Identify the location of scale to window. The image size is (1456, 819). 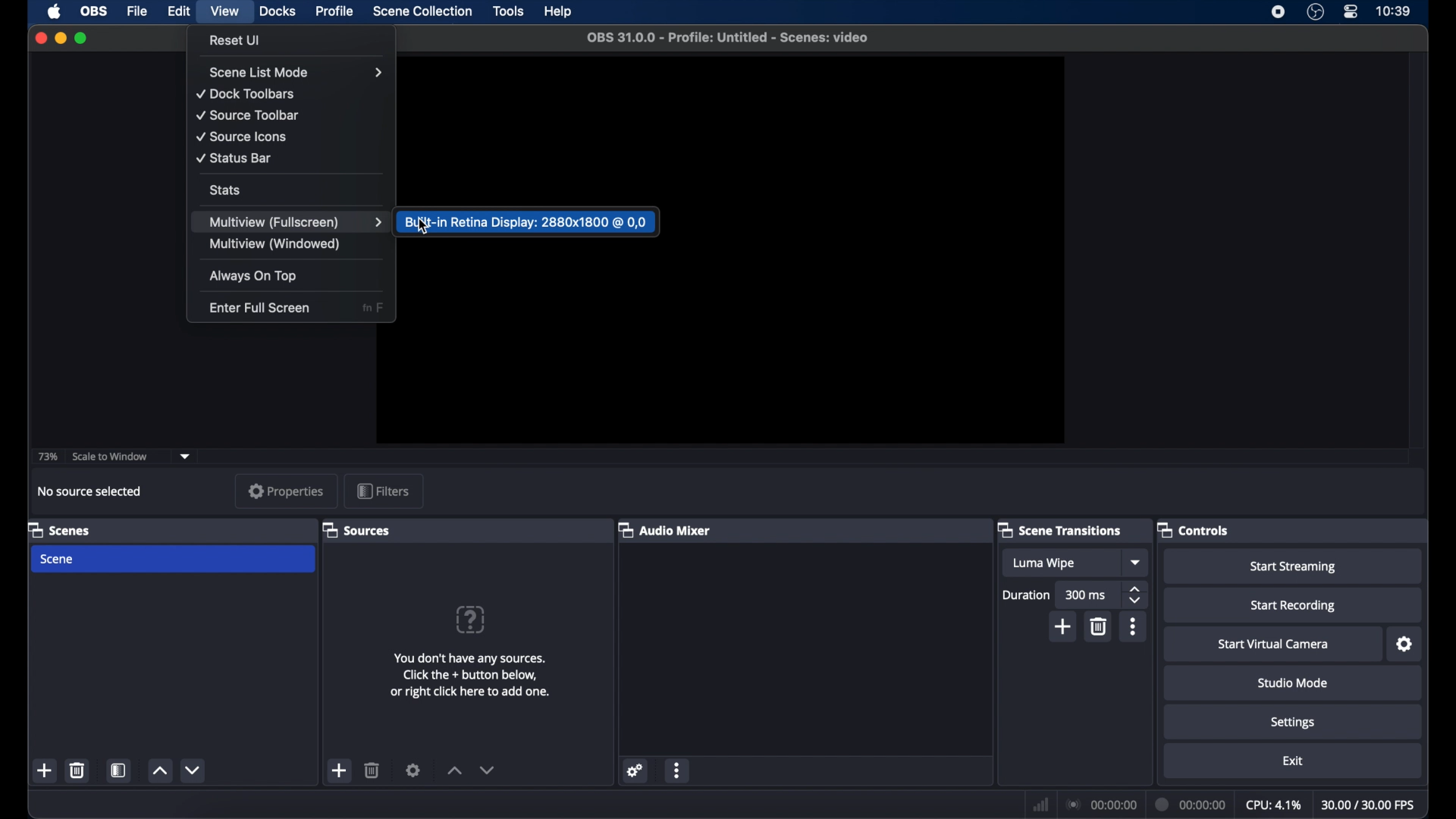
(110, 457).